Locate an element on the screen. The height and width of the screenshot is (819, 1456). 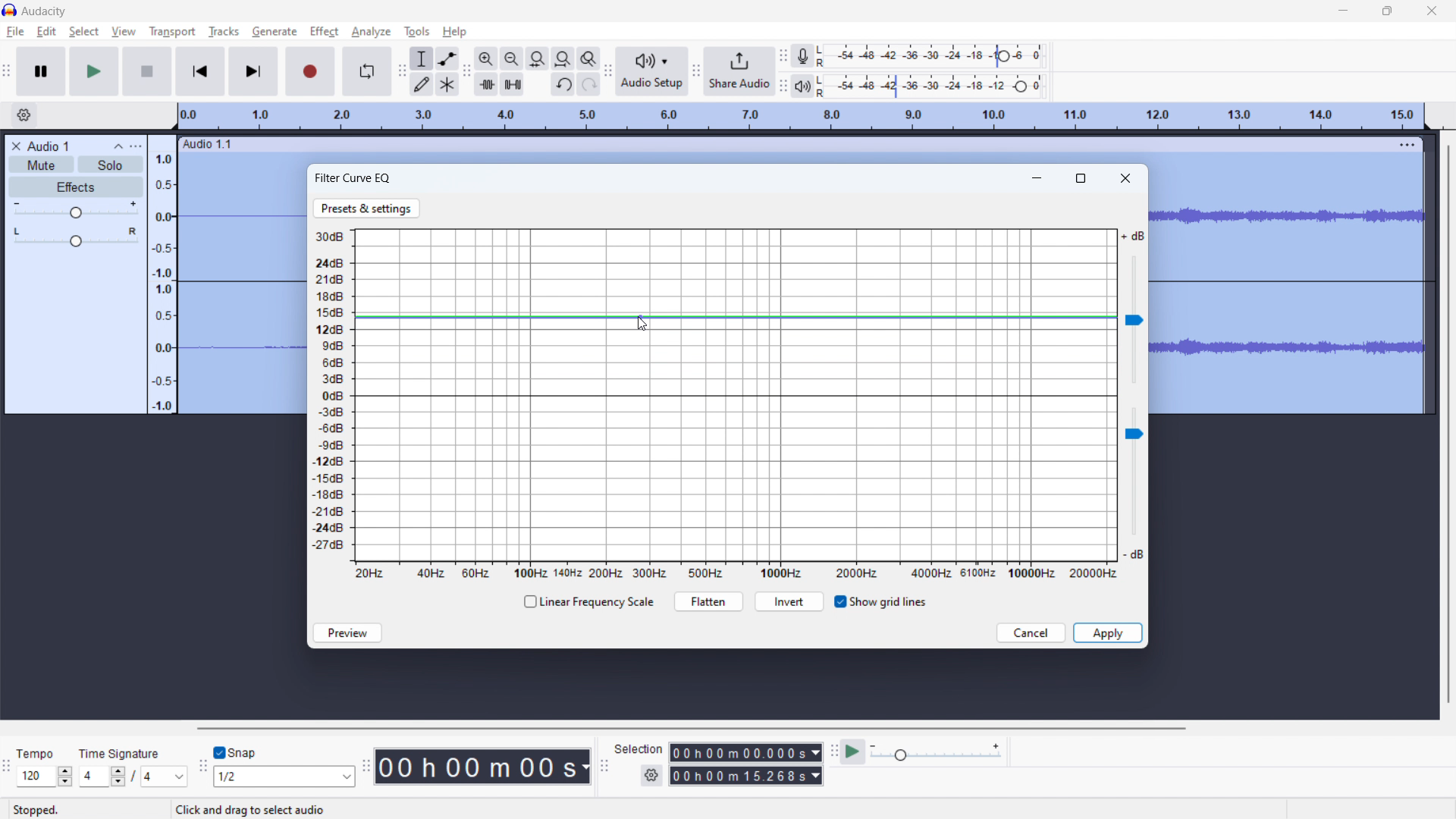
Tempo is located at coordinates (44, 754).